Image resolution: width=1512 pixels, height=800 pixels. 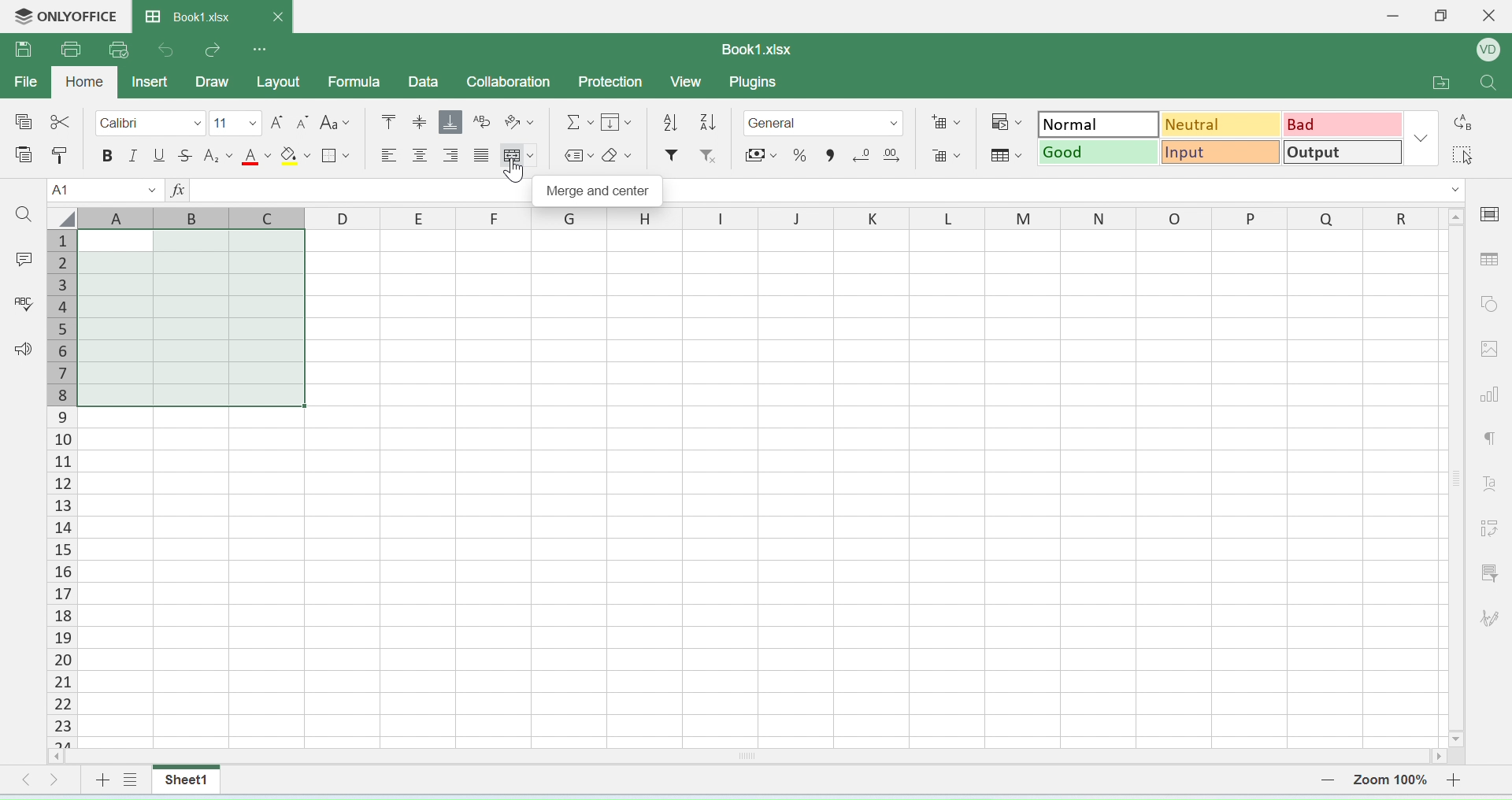 I want to click on sheet1, so click(x=184, y=780).